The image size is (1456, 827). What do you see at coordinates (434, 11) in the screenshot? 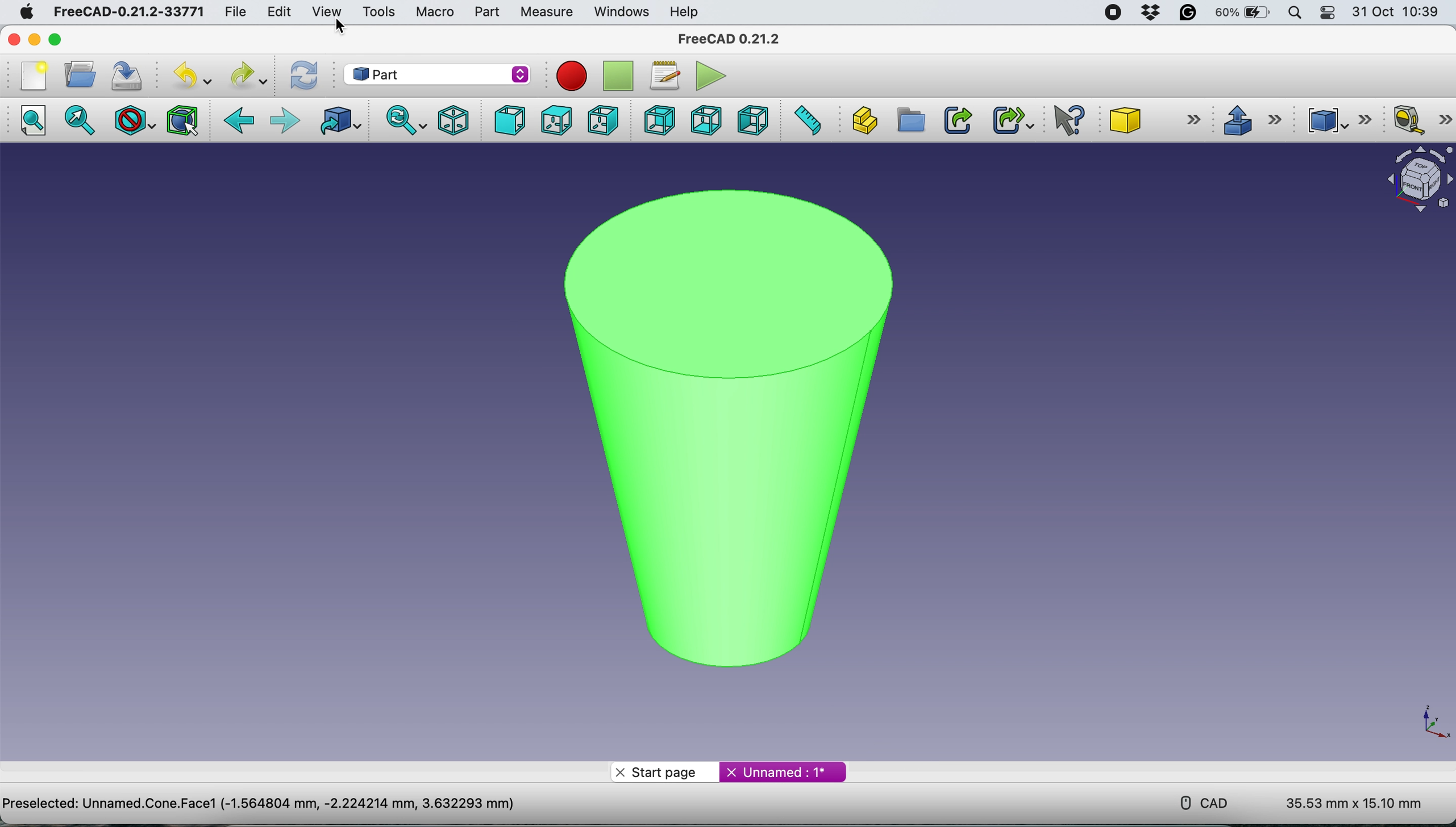
I see `macro` at bounding box center [434, 11].